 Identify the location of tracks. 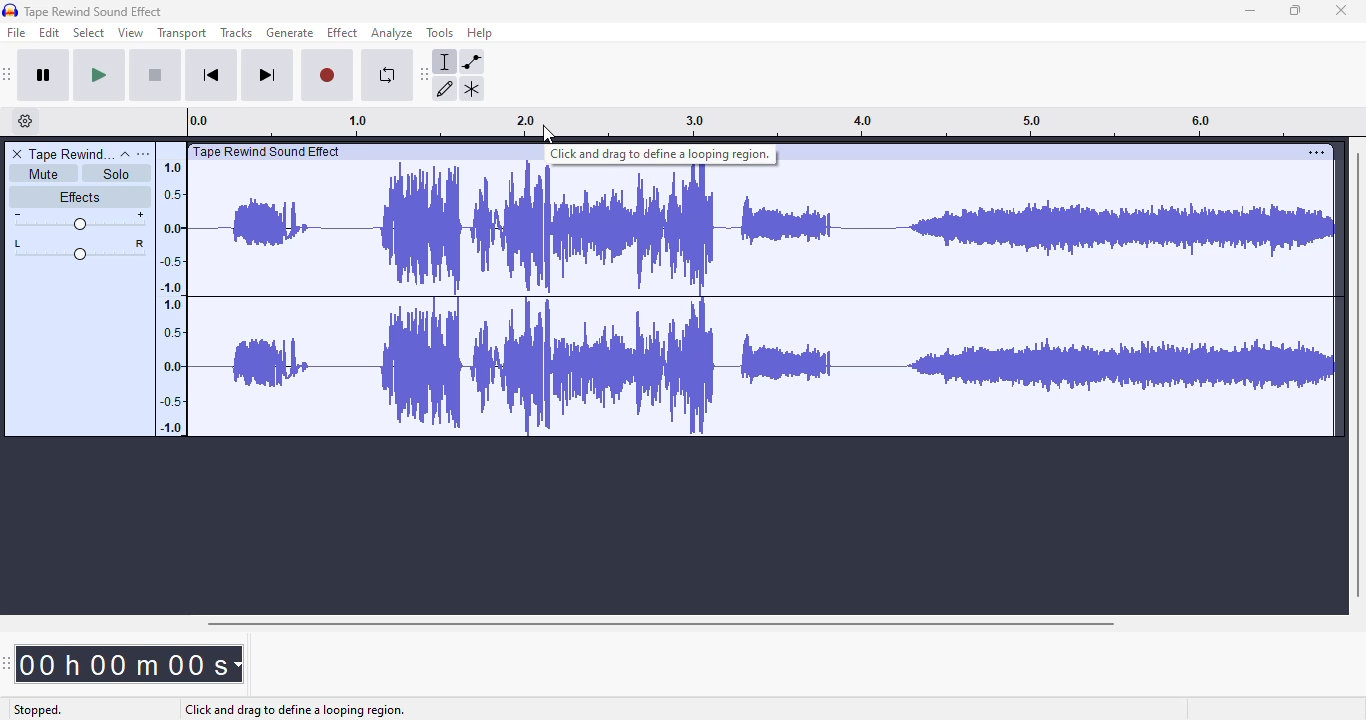
(237, 33).